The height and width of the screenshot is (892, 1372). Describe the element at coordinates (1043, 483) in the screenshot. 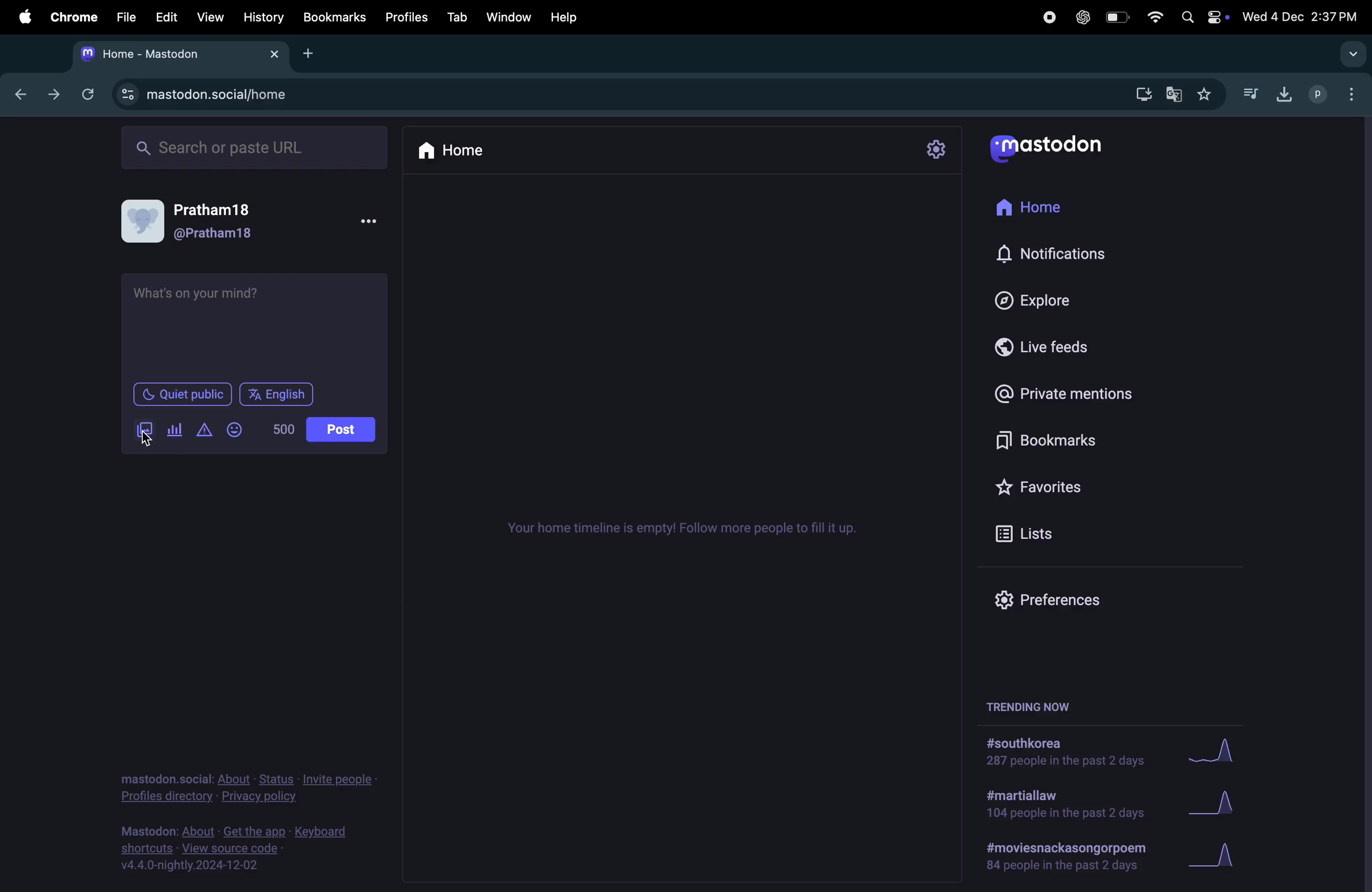

I see `favourites` at that location.